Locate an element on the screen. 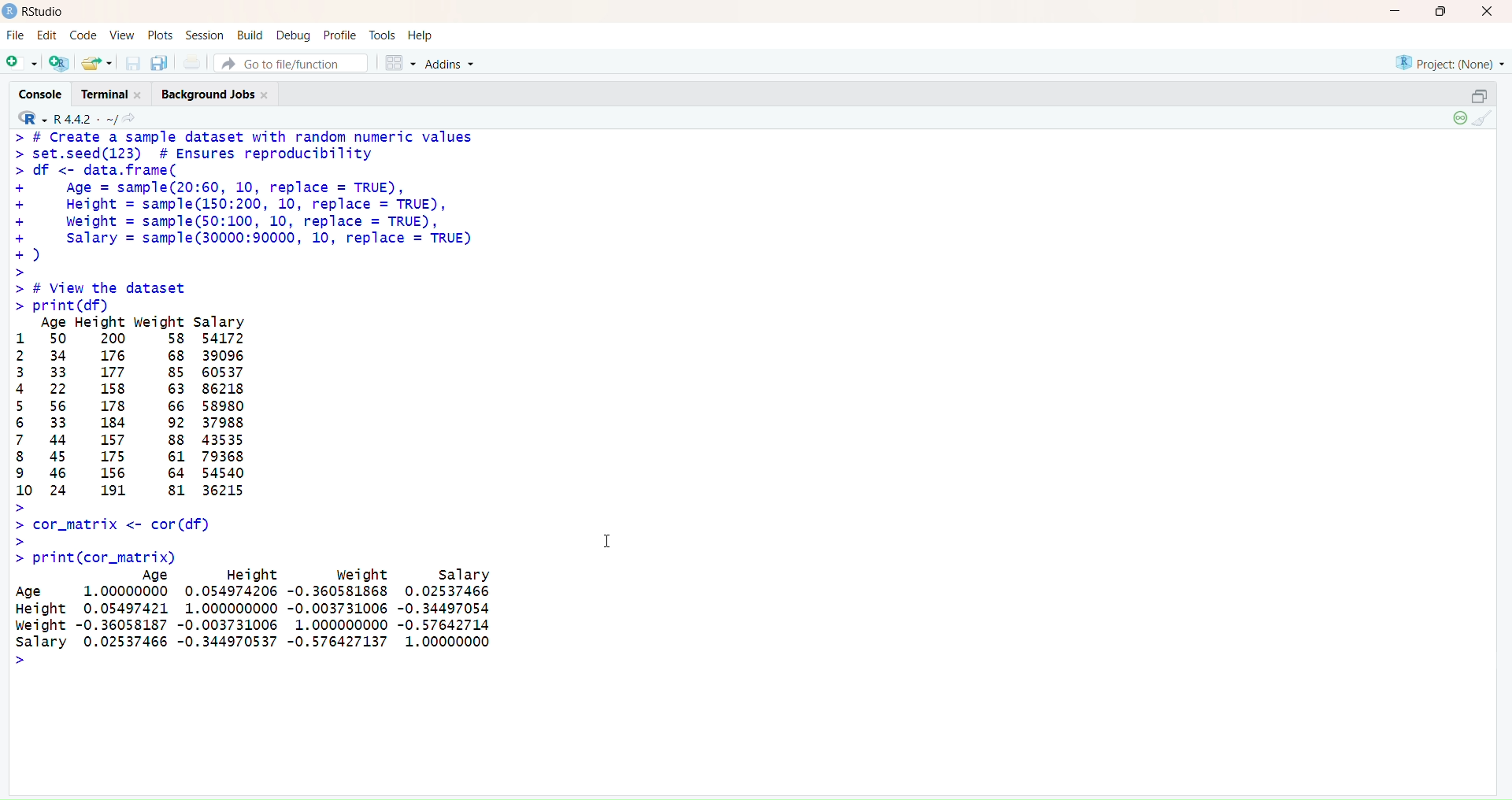  Debug is located at coordinates (294, 35).